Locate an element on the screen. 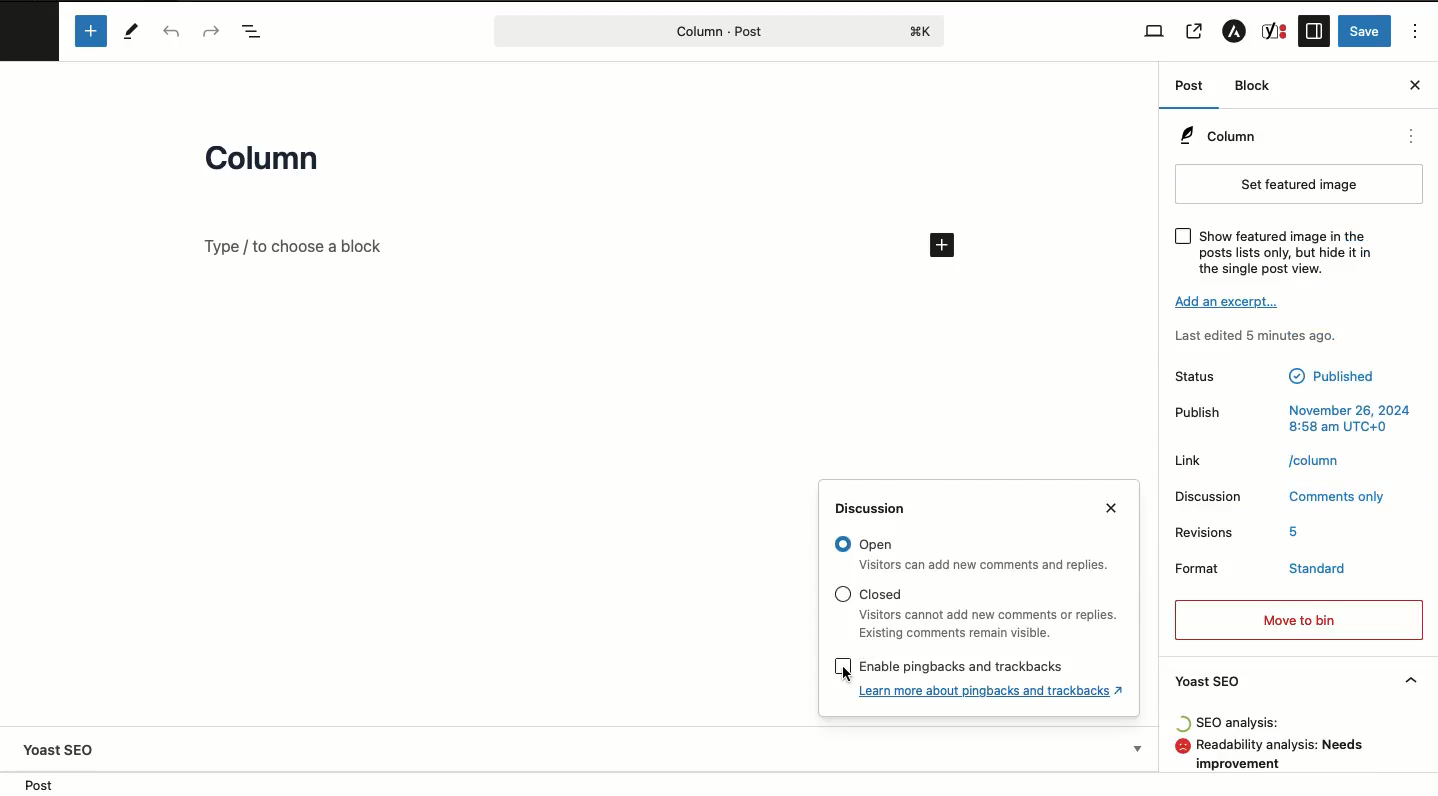  add is located at coordinates (944, 245).